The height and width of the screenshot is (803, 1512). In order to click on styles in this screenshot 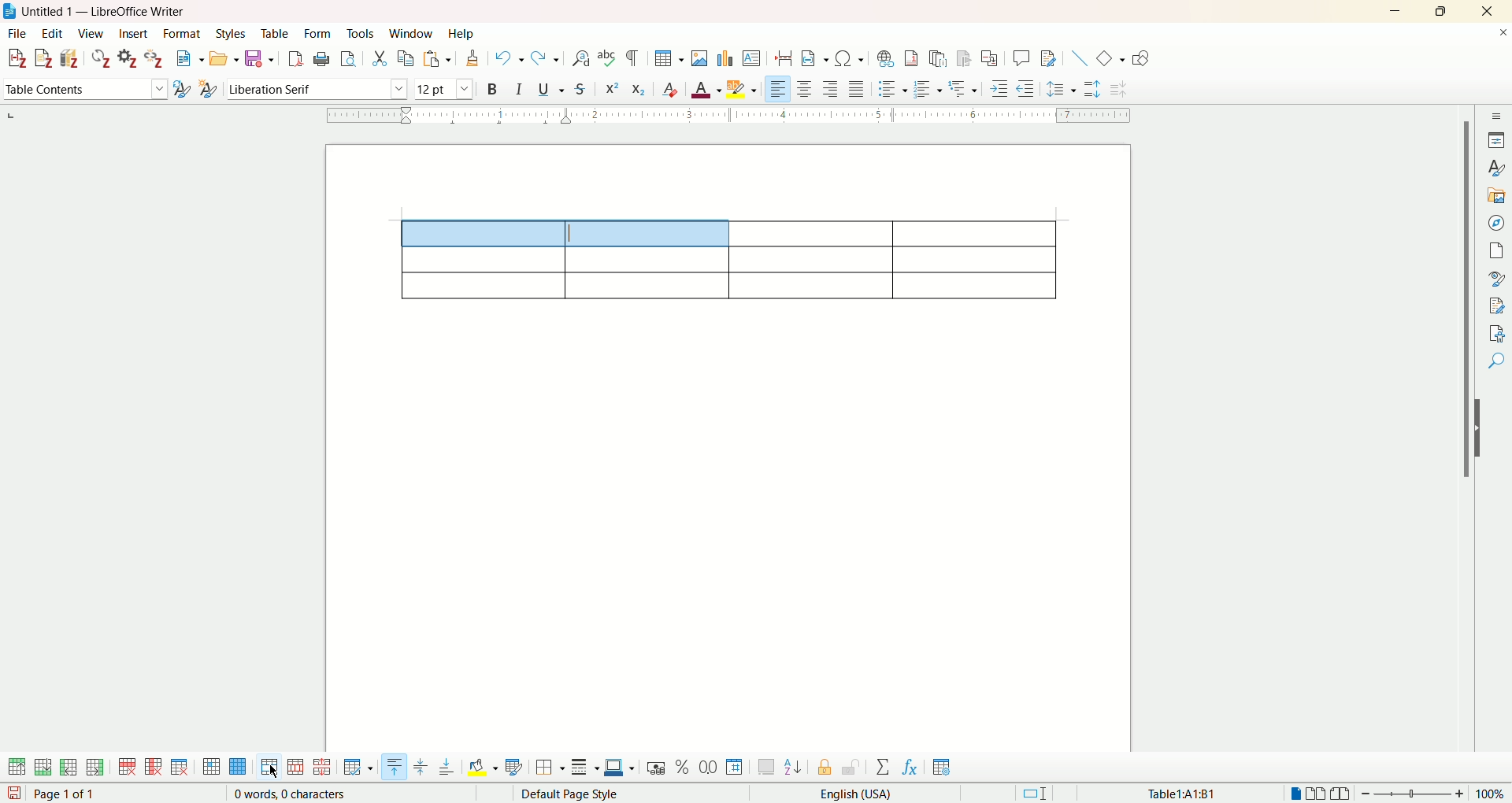, I will do `click(233, 34)`.